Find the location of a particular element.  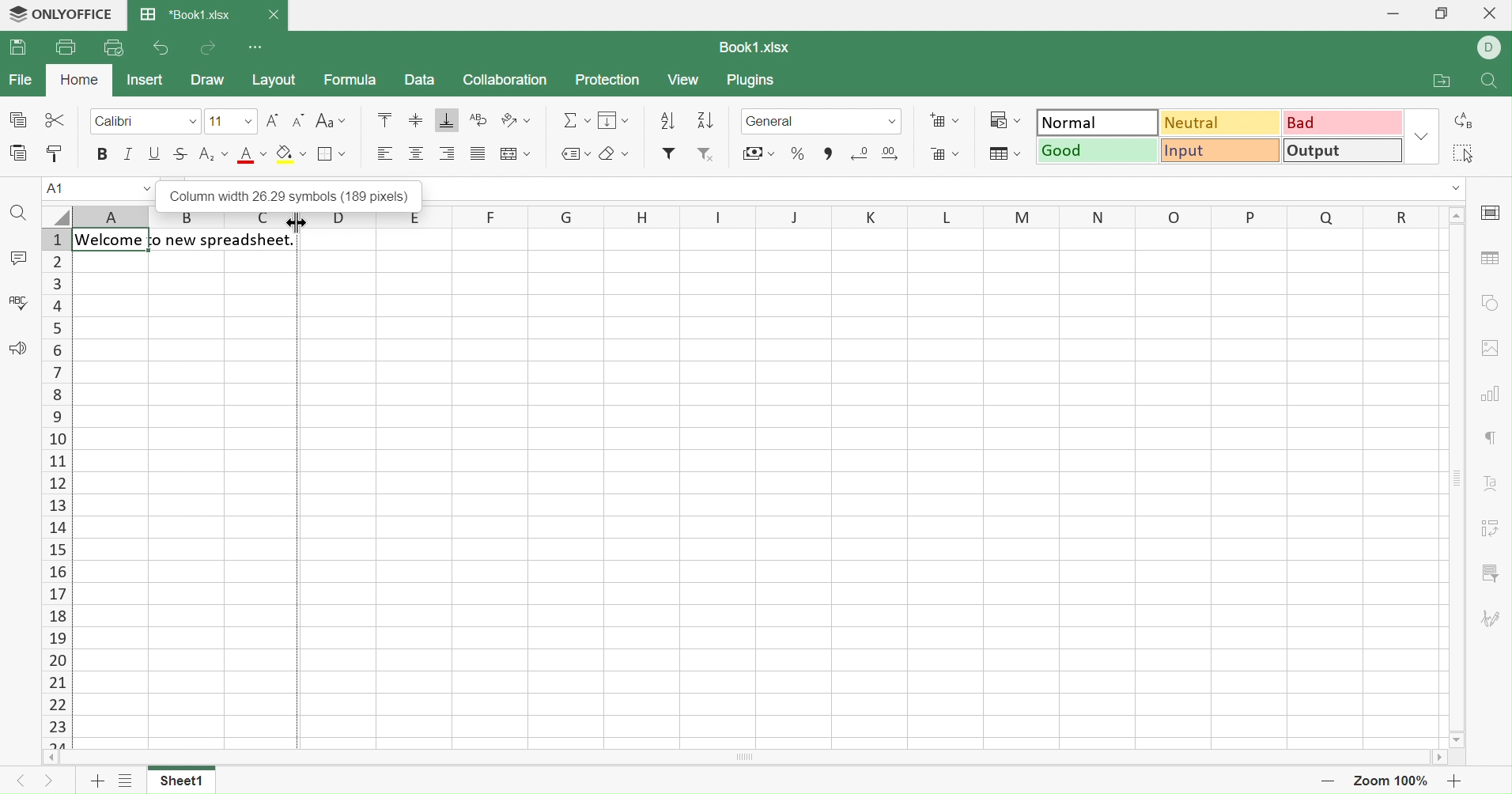

Zoom 100% is located at coordinates (1392, 781).